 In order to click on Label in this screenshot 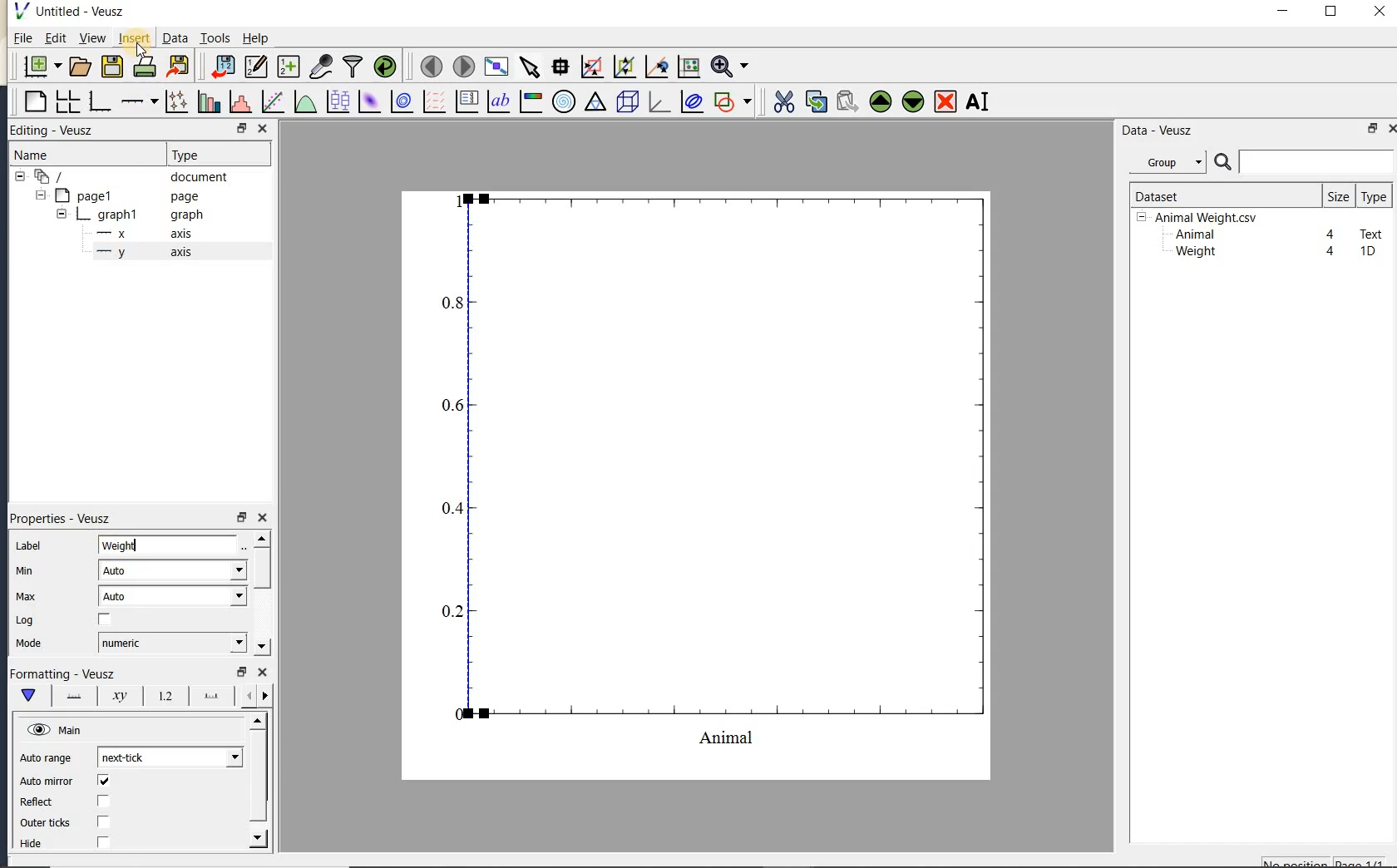, I will do `click(31, 546)`.